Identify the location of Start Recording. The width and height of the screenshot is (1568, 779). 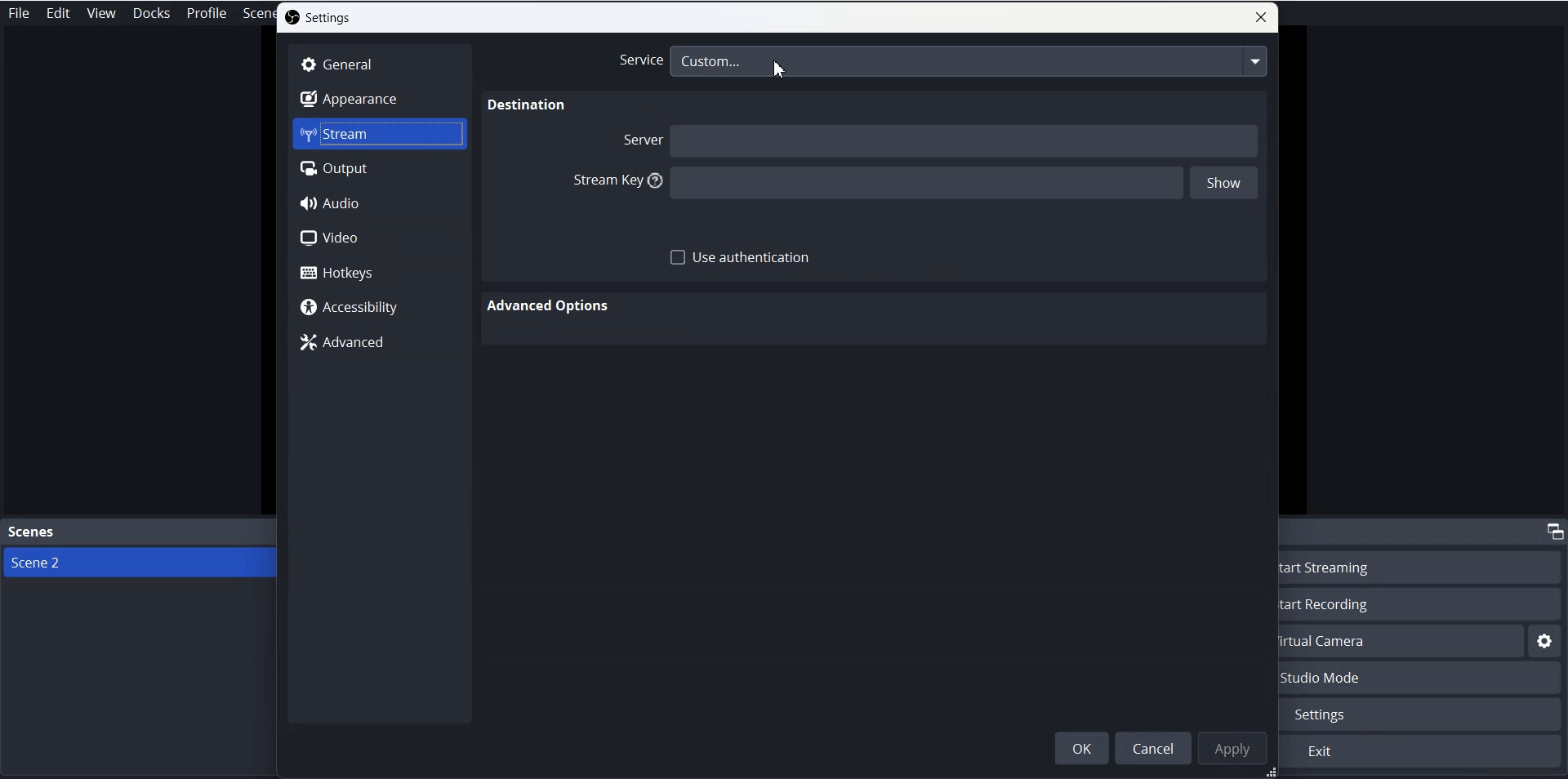
(1424, 603).